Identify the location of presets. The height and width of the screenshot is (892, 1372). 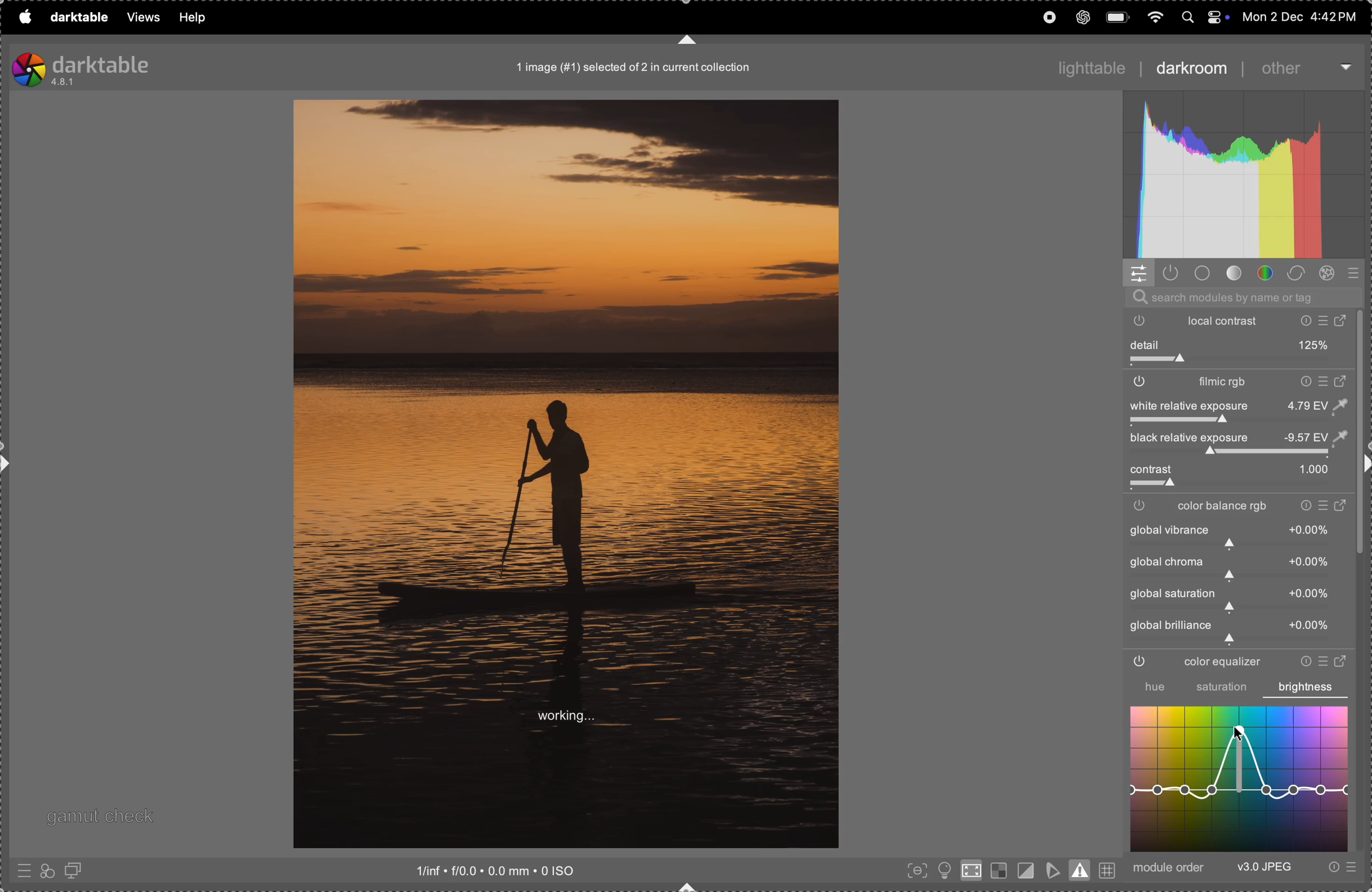
(22, 873).